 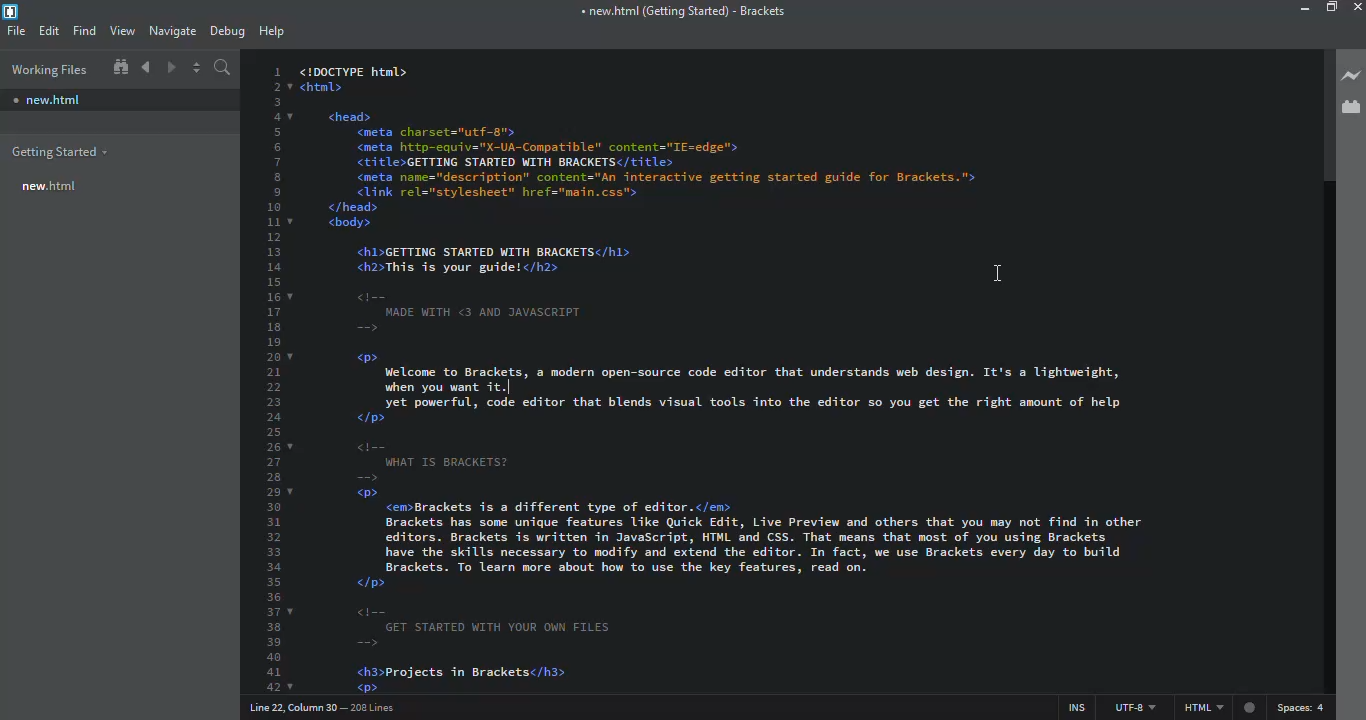 What do you see at coordinates (1357, 7) in the screenshot?
I see `close` at bounding box center [1357, 7].